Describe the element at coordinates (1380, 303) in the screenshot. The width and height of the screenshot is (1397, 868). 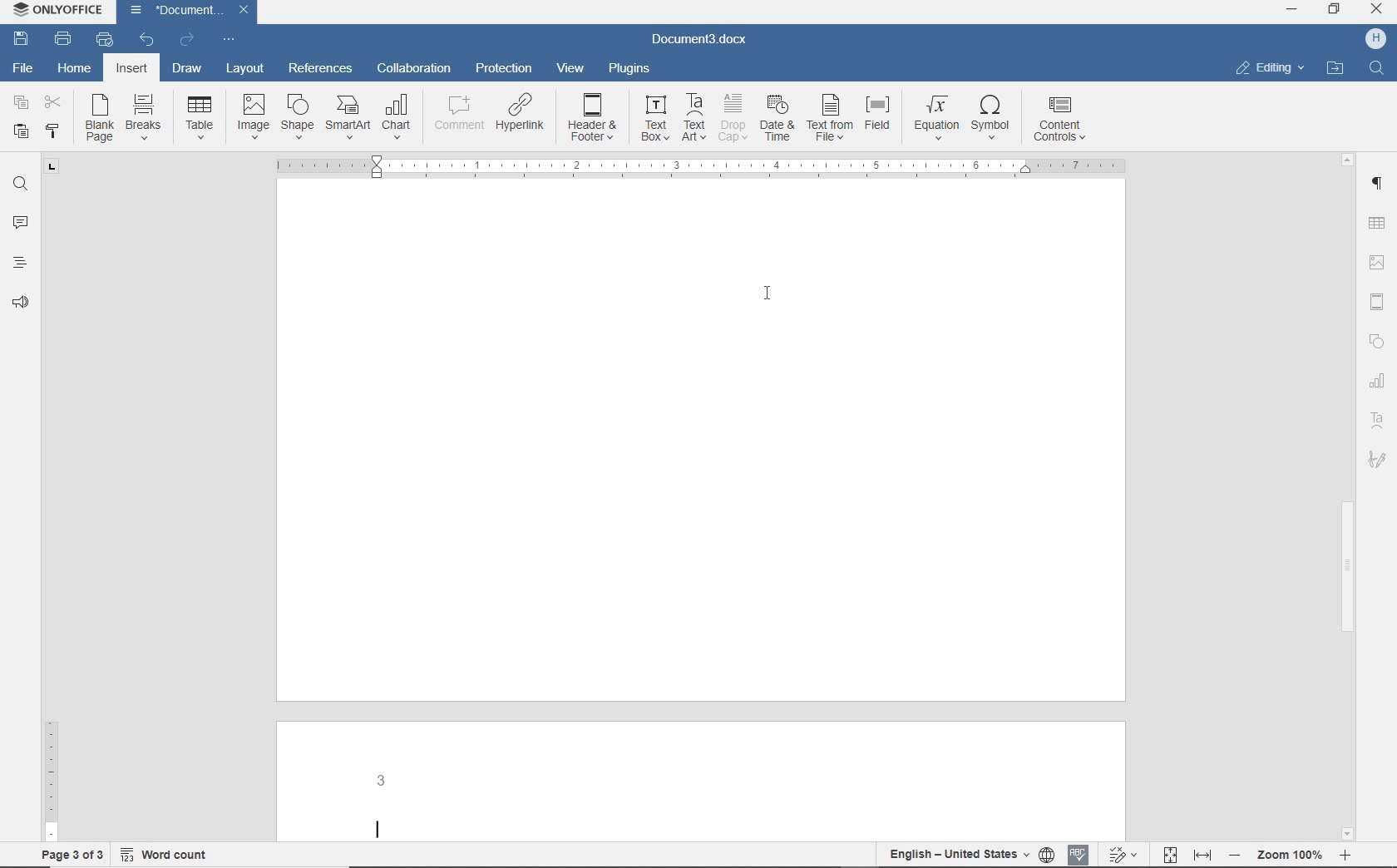
I see `HEADER & FOOTER` at that location.